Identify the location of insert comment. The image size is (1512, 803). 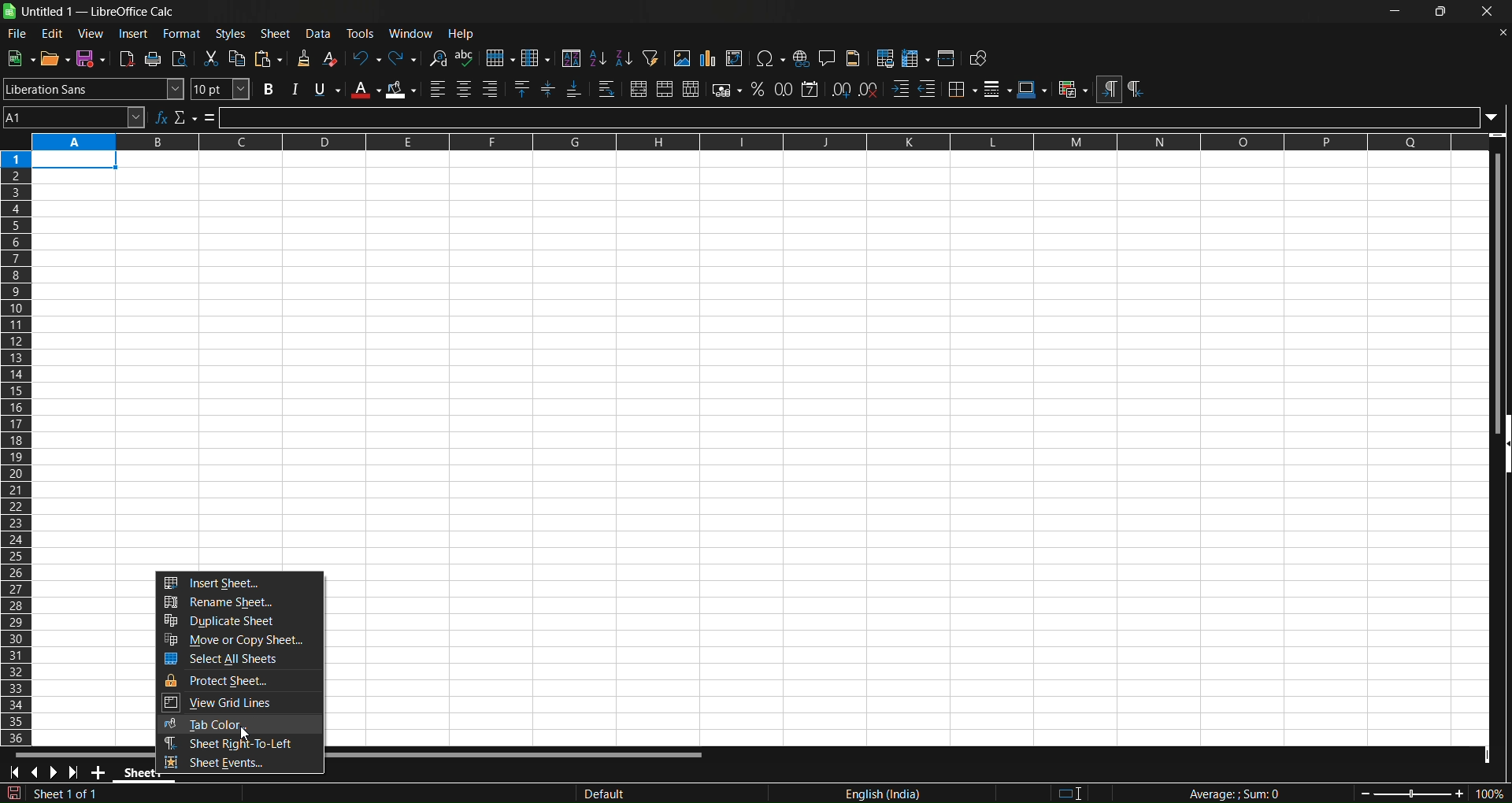
(827, 57).